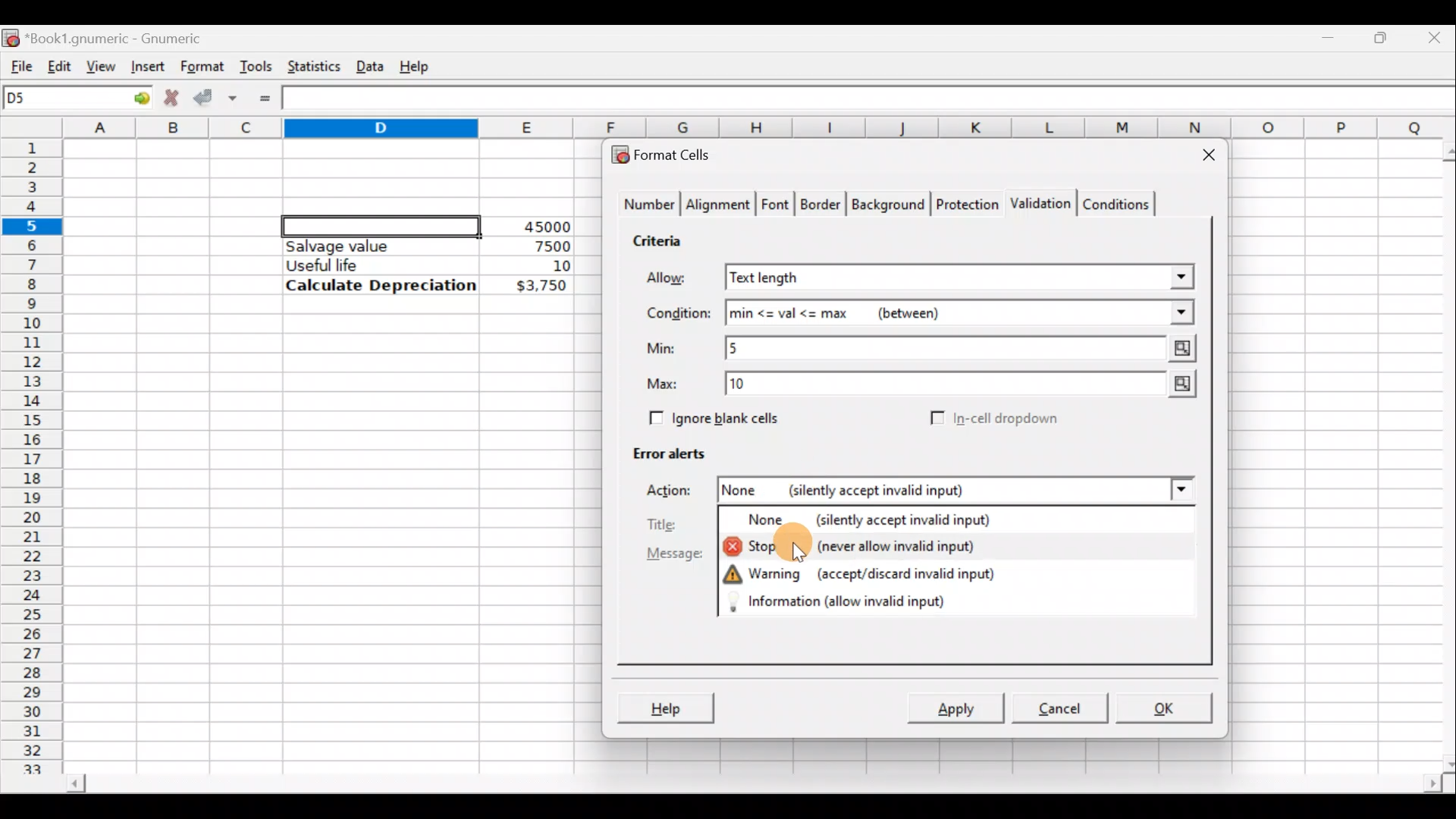 The height and width of the screenshot is (819, 1456). I want to click on Scroll bar, so click(1439, 454).